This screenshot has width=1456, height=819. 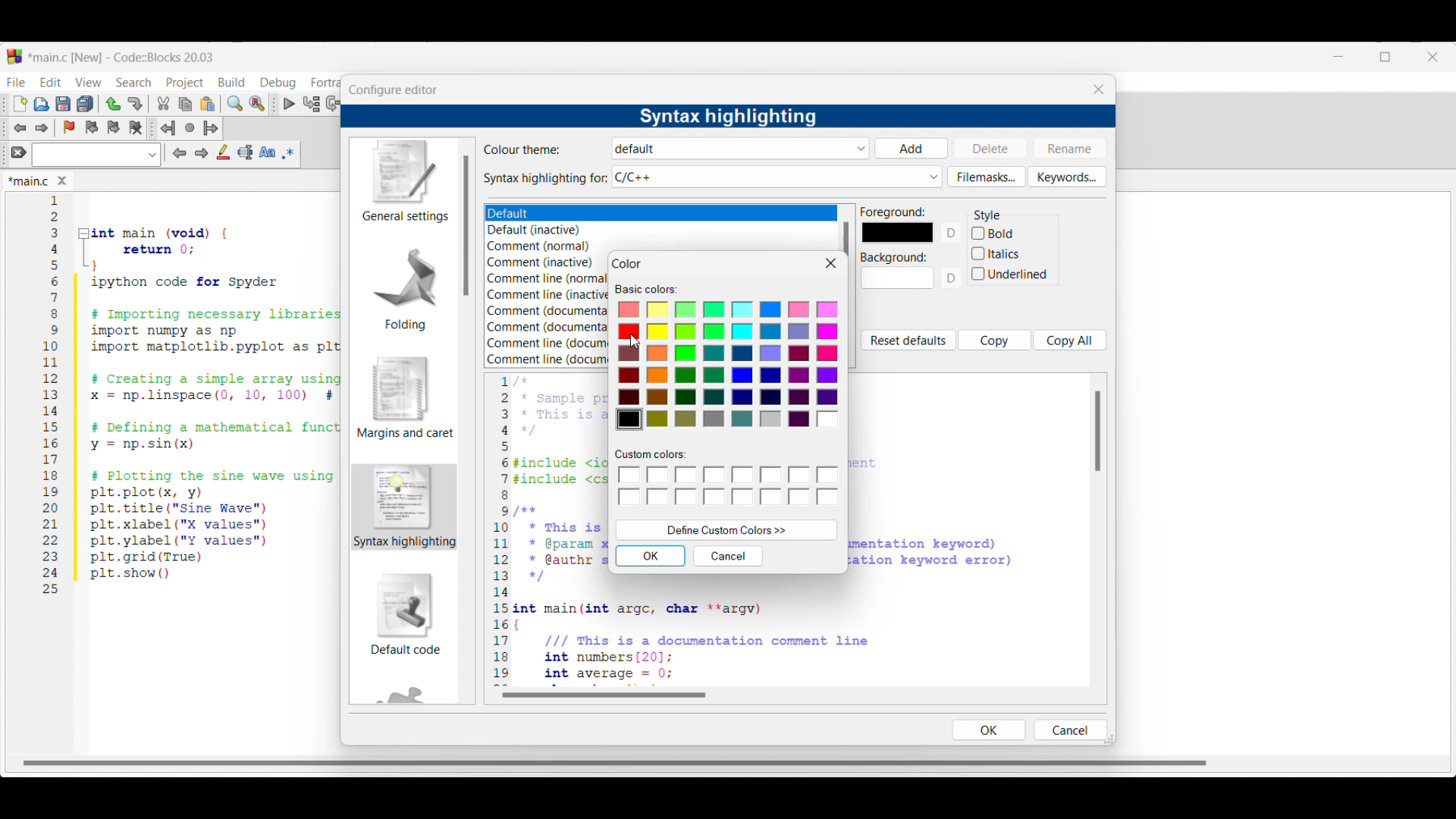 What do you see at coordinates (135, 104) in the screenshot?
I see `Redo` at bounding box center [135, 104].